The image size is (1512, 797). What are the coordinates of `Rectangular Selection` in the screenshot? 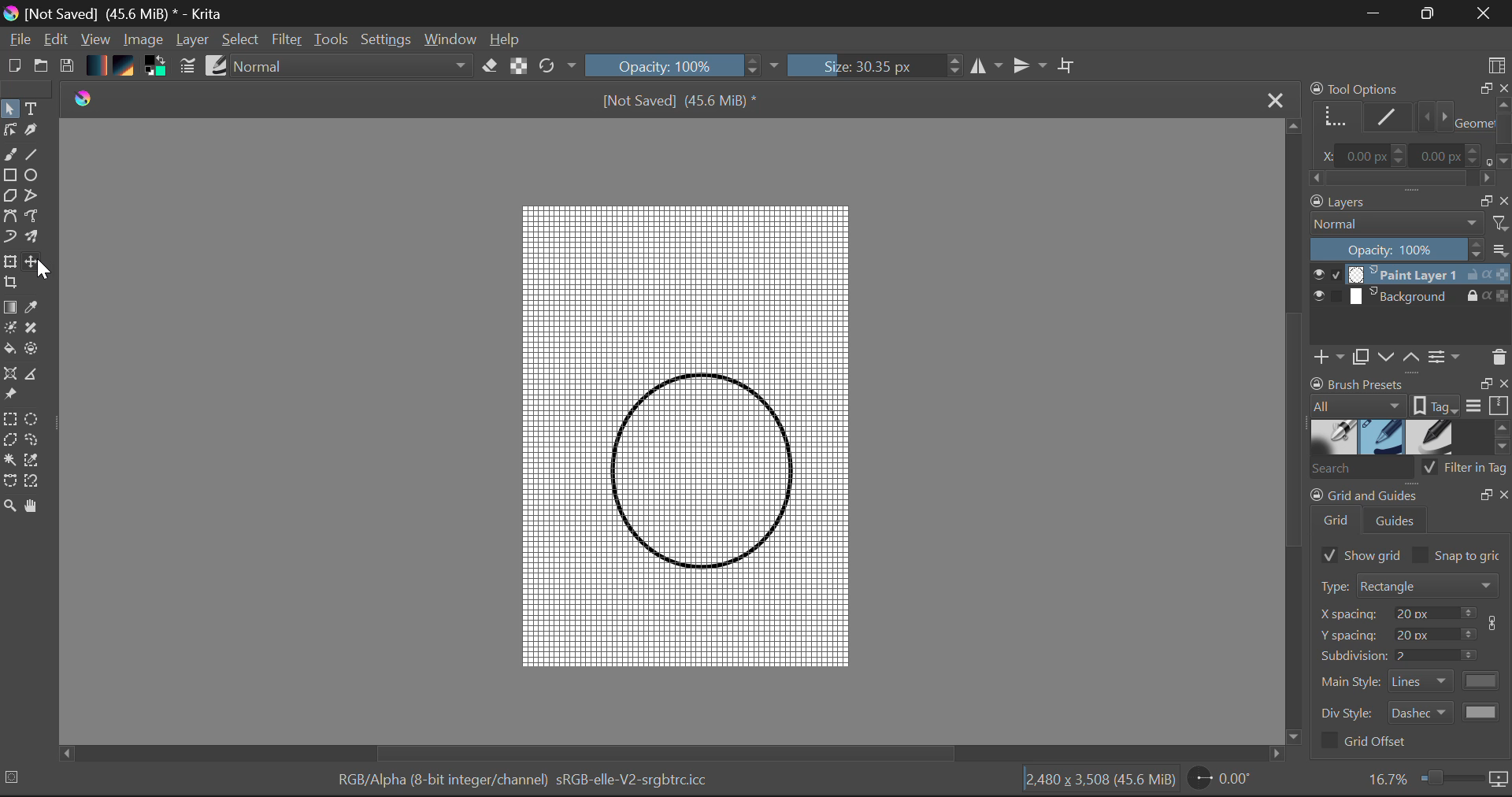 It's located at (11, 419).